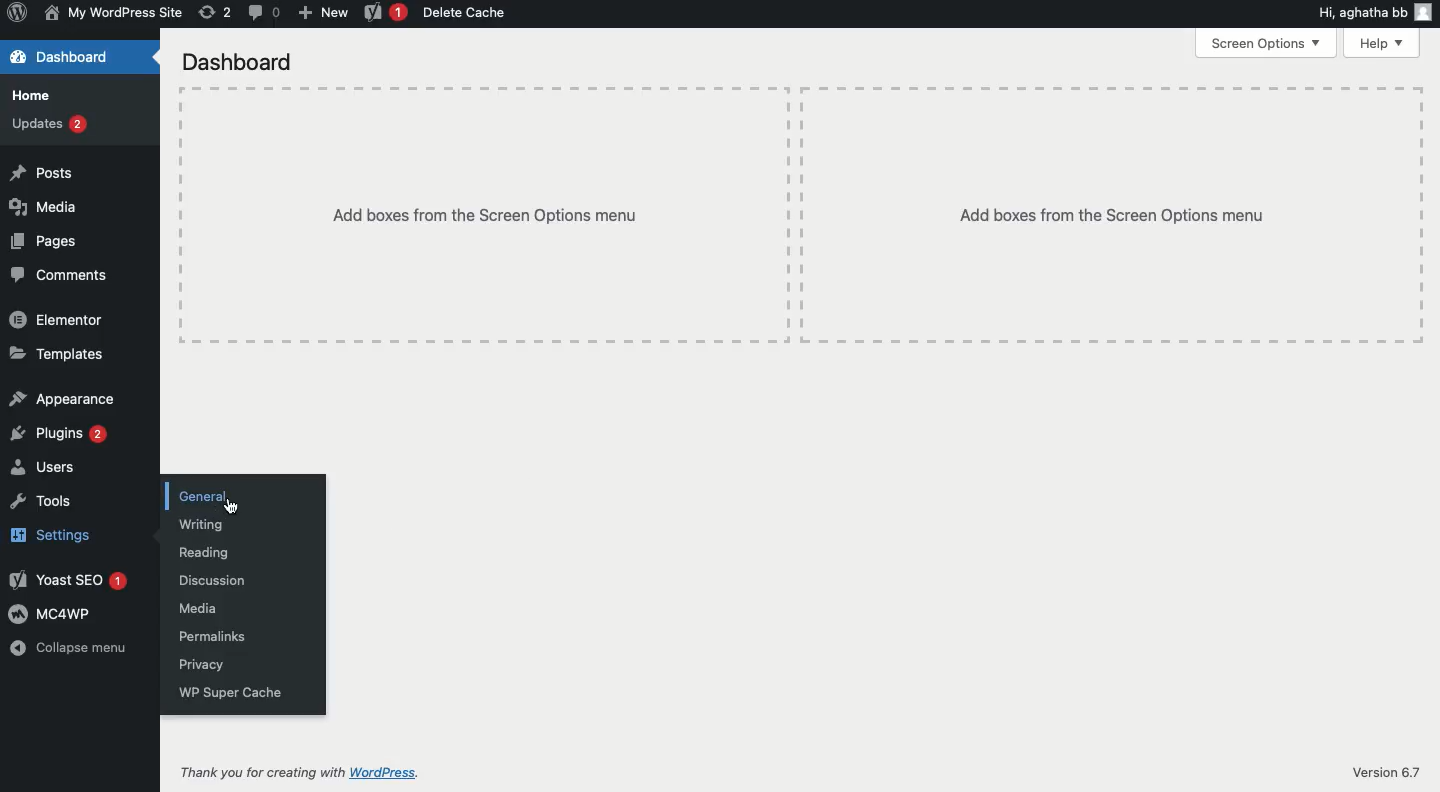 This screenshot has height=792, width=1440. I want to click on (2) Revisions, so click(212, 11).